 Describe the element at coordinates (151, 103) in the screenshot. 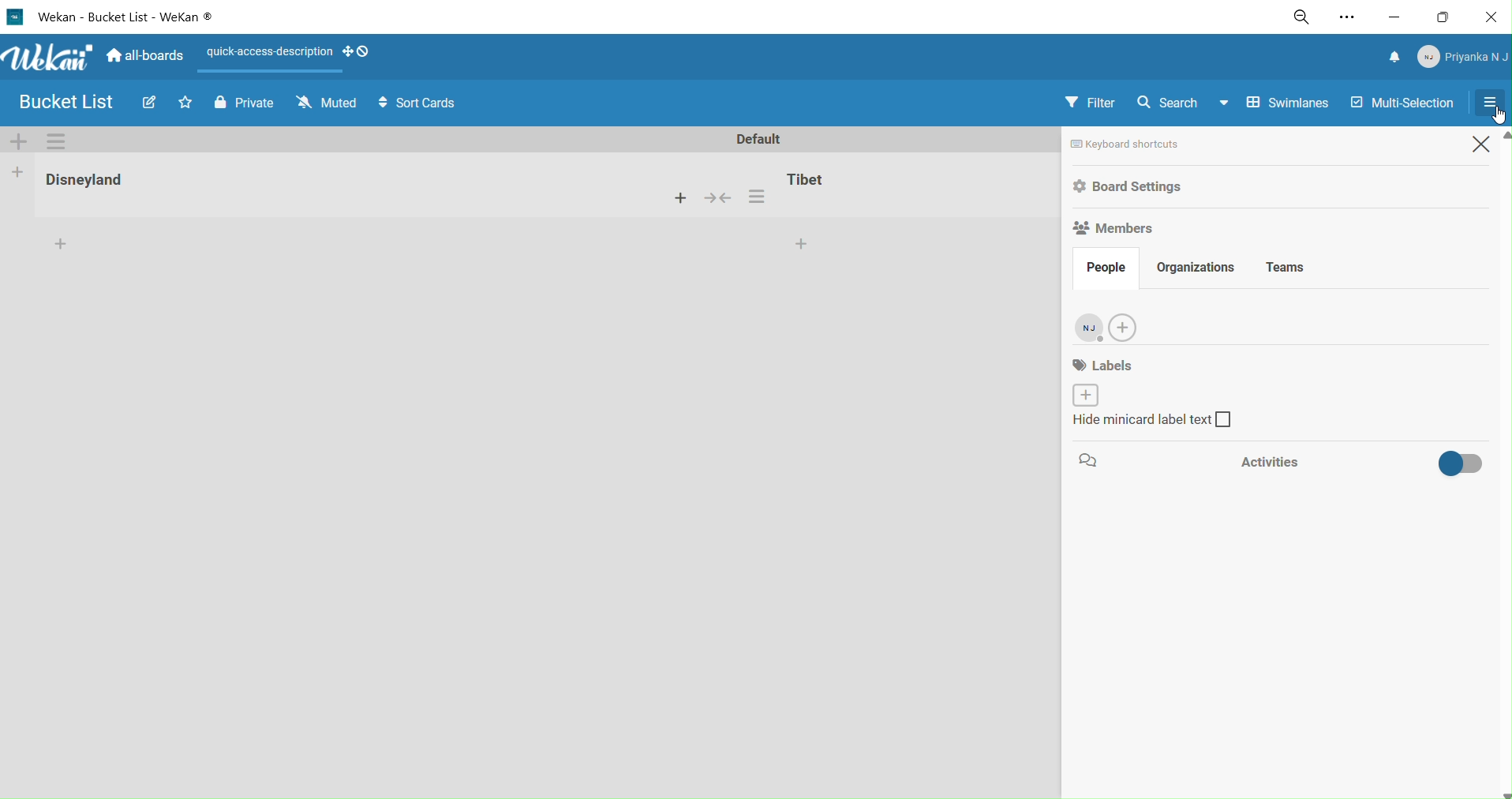

I see `edit ` at that location.